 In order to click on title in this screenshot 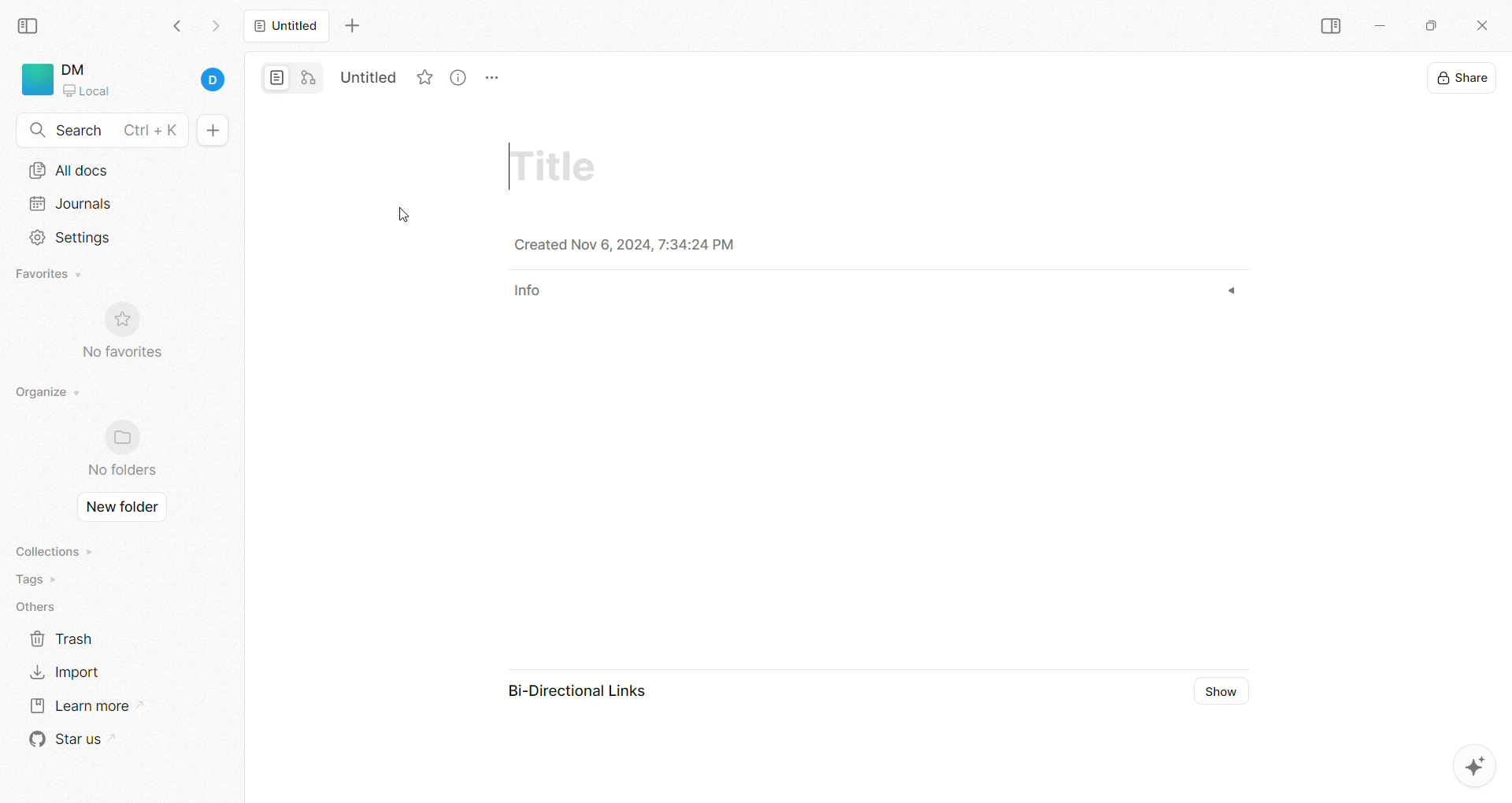, I will do `click(551, 163)`.